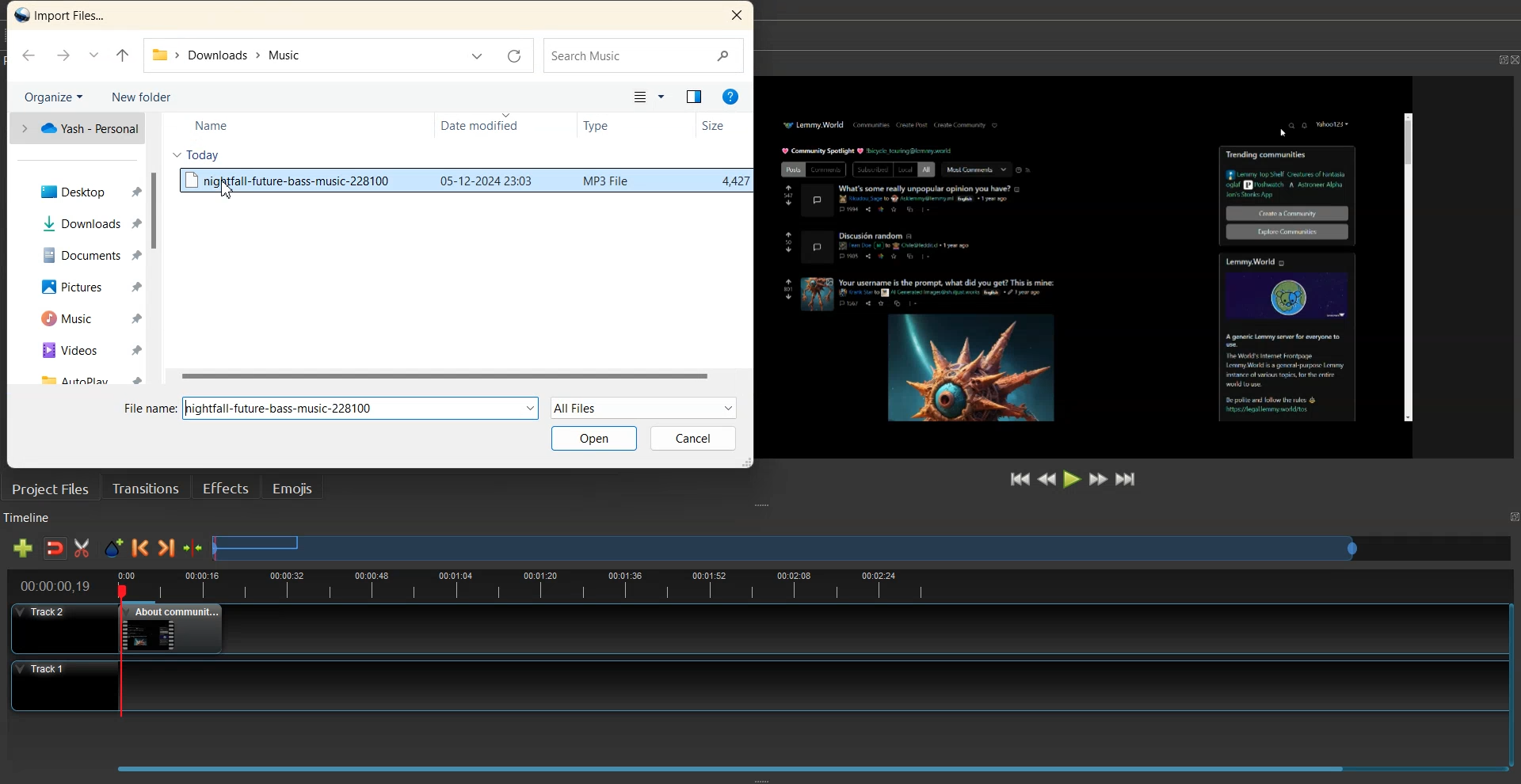 The image size is (1521, 784). What do you see at coordinates (646, 55) in the screenshot?
I see `Search Bar` at bounding box center [646, 55].